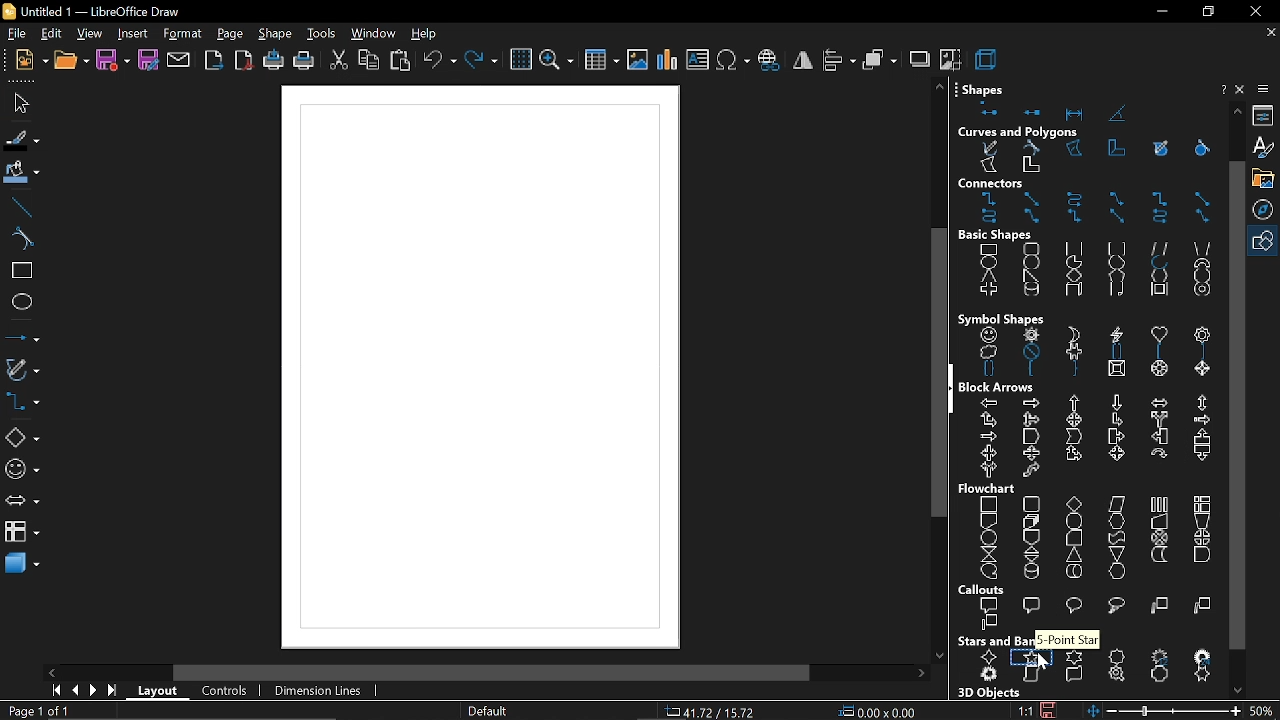 This screenshot has height=720, width=1280. Describe the element at coordinates (989, 59) in the screenshot. I see `3d effects` at that location.